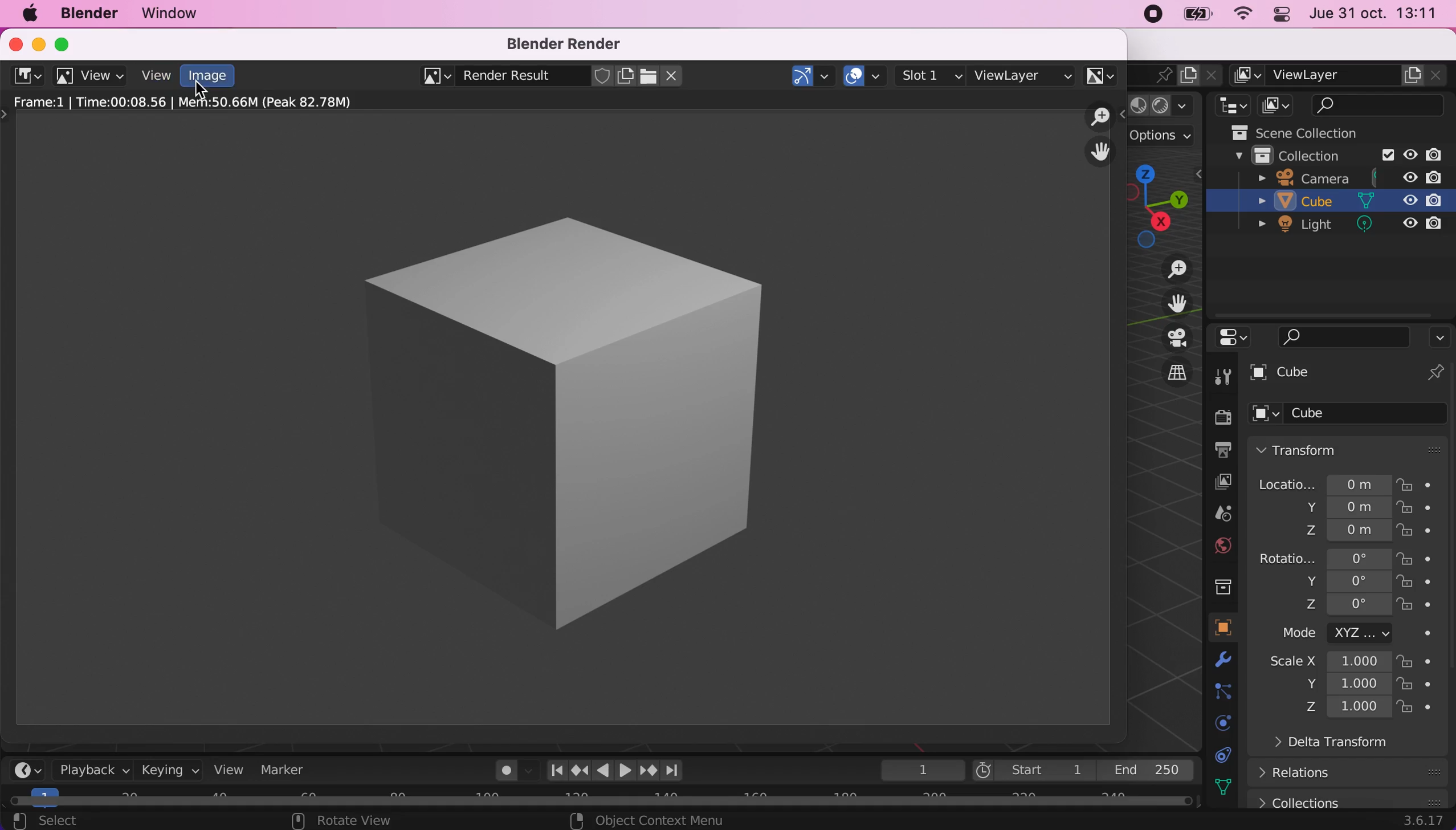  I want to click on scene, so click(1155, 74).